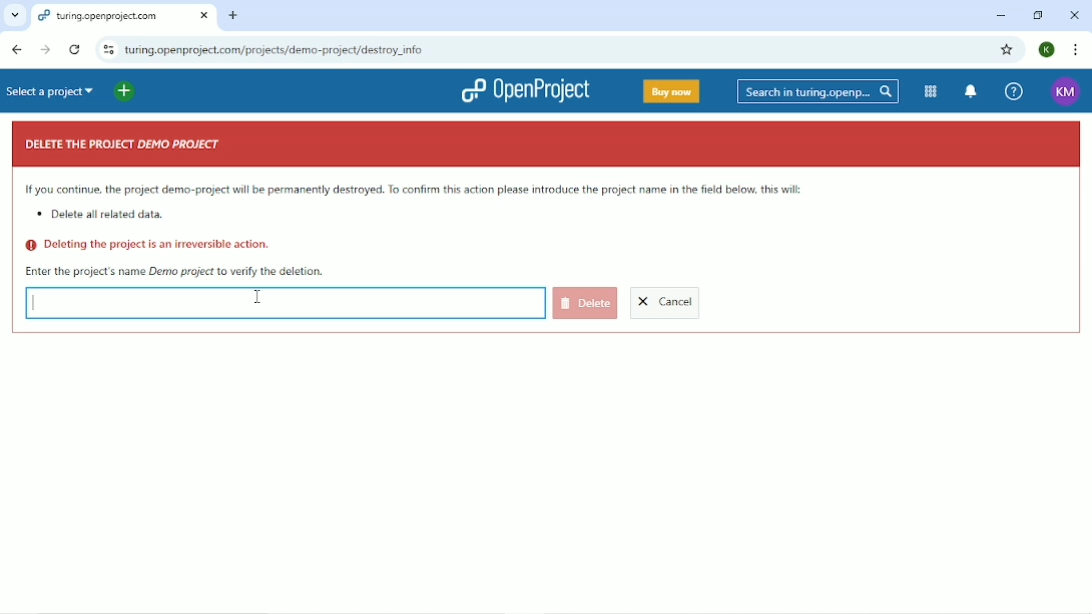  I want to click on Open quick add menu, so click(161, 90).